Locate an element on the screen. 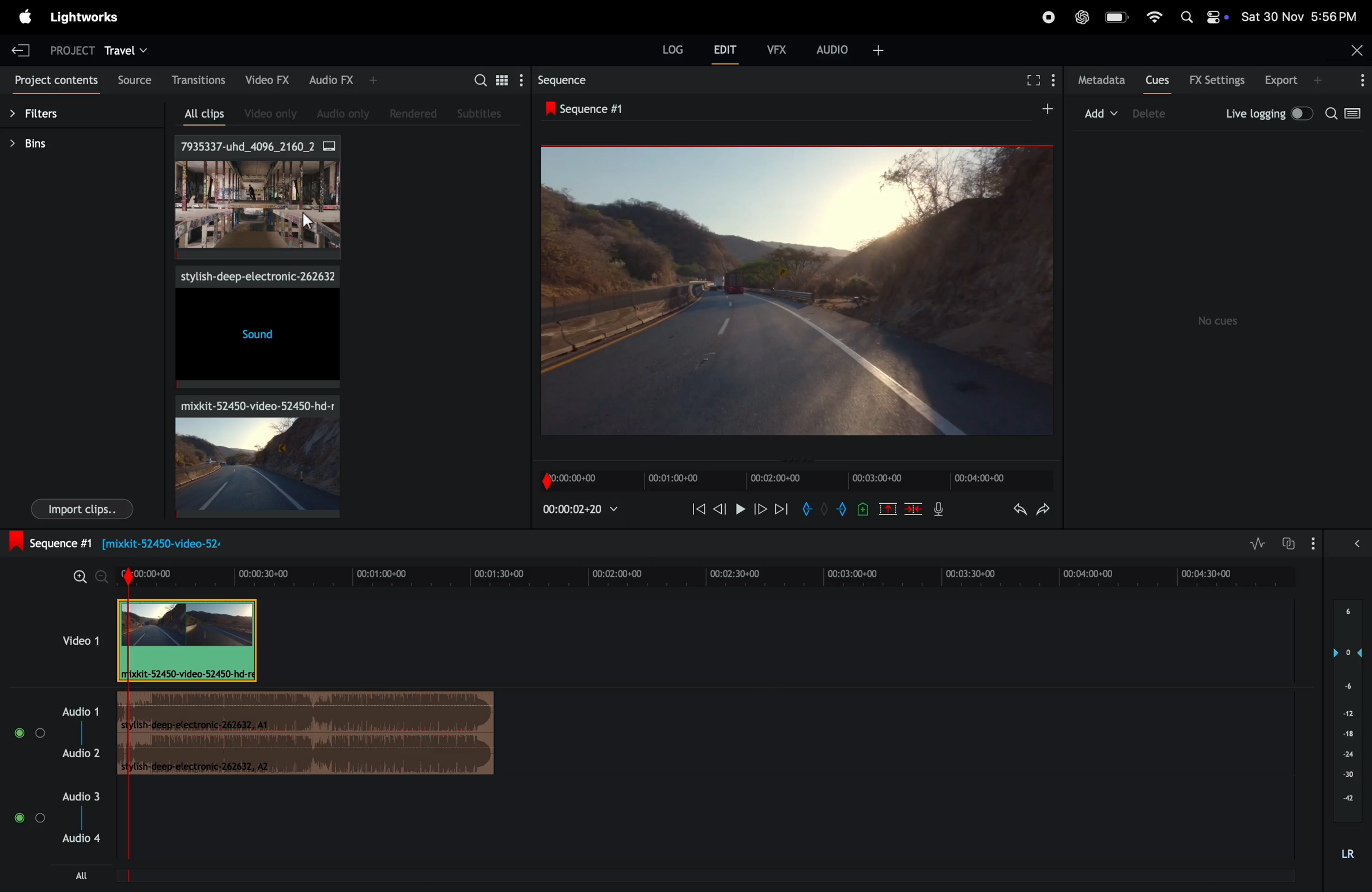  all clips is located at coordinates (198, 115).